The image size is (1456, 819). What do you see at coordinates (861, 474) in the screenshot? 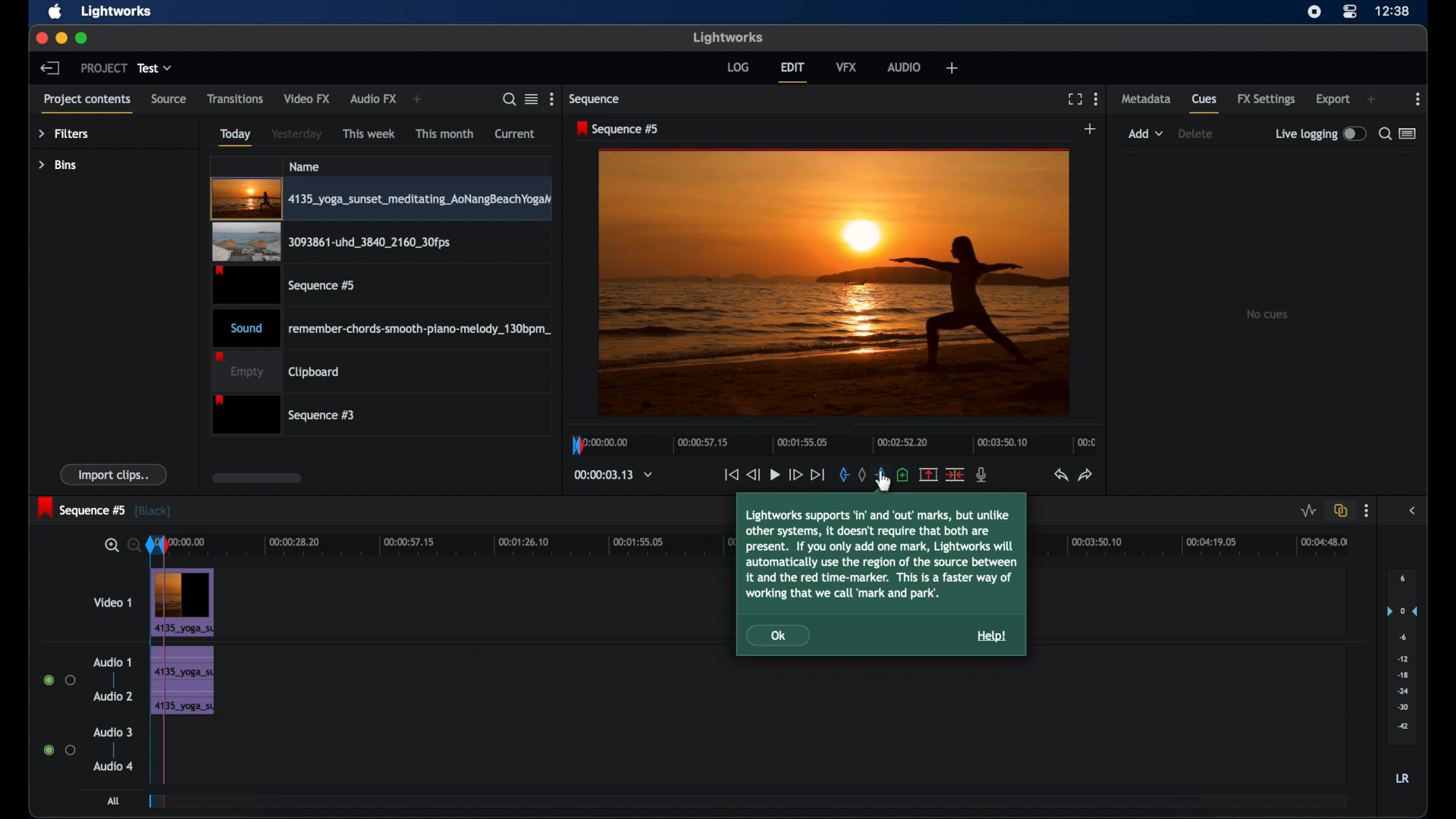
I see `clear all marks` at bounding box center [861, 474].